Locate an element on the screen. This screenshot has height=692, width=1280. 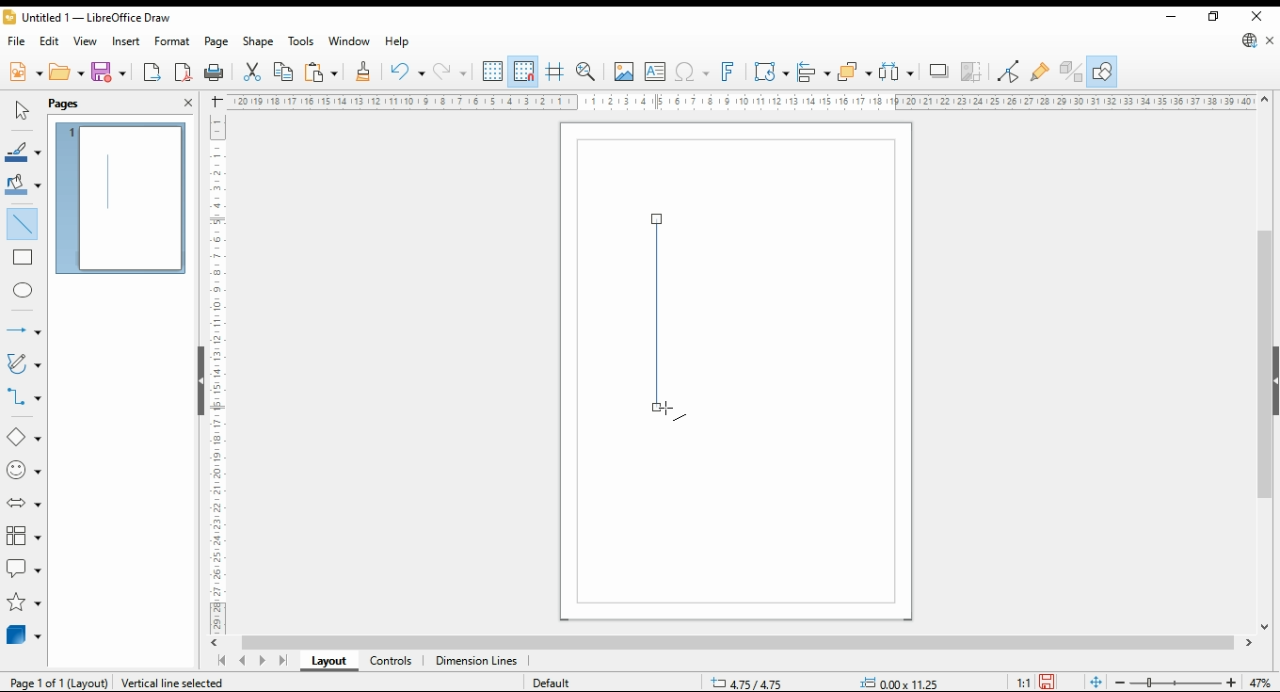
align objects is located at coordinates (814, 71).